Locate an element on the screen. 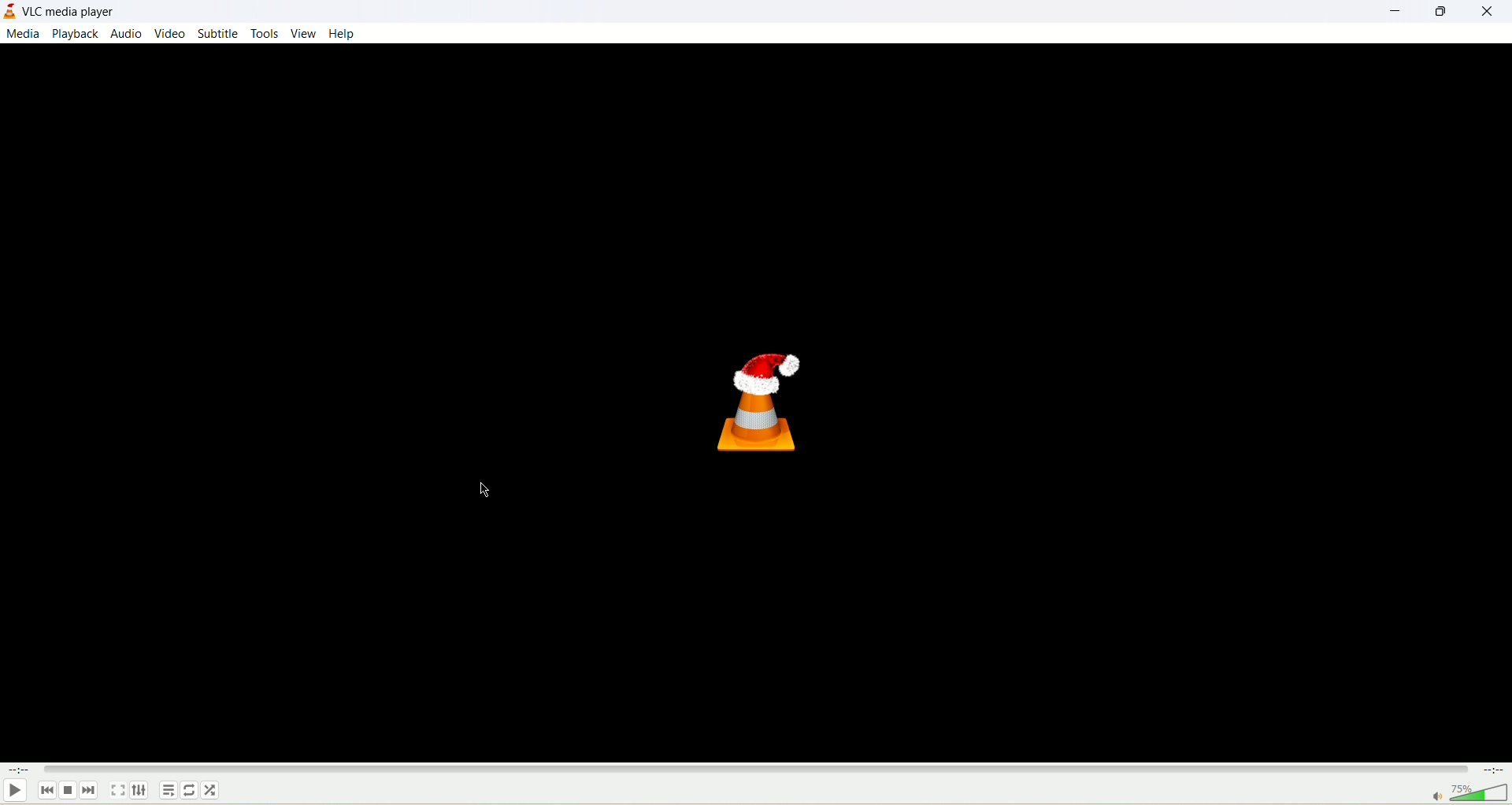  elapsed time is located at coordinates (20, 770).